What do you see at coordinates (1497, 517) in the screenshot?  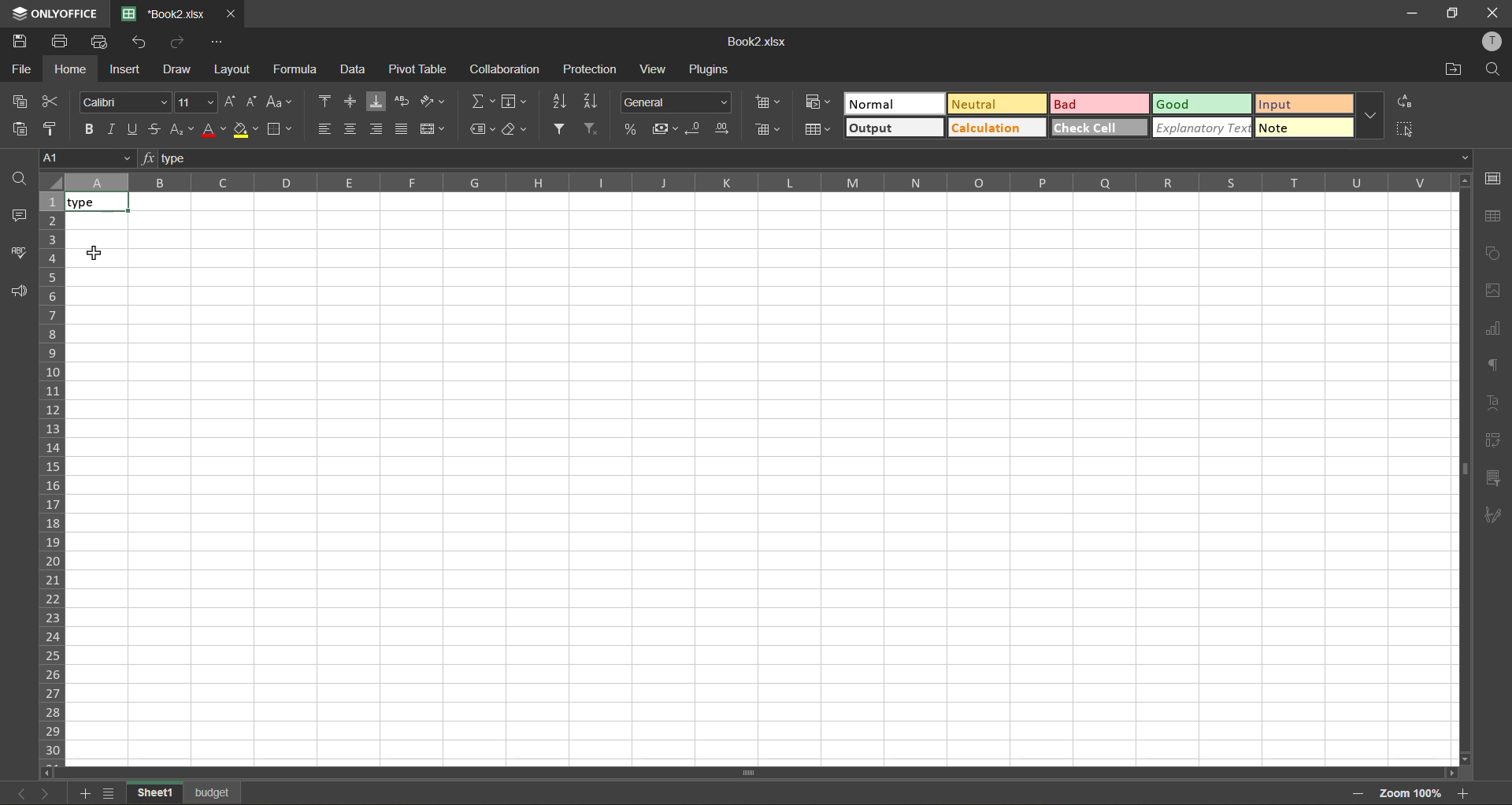 I see `signature` at bounding box center [1497, 517].